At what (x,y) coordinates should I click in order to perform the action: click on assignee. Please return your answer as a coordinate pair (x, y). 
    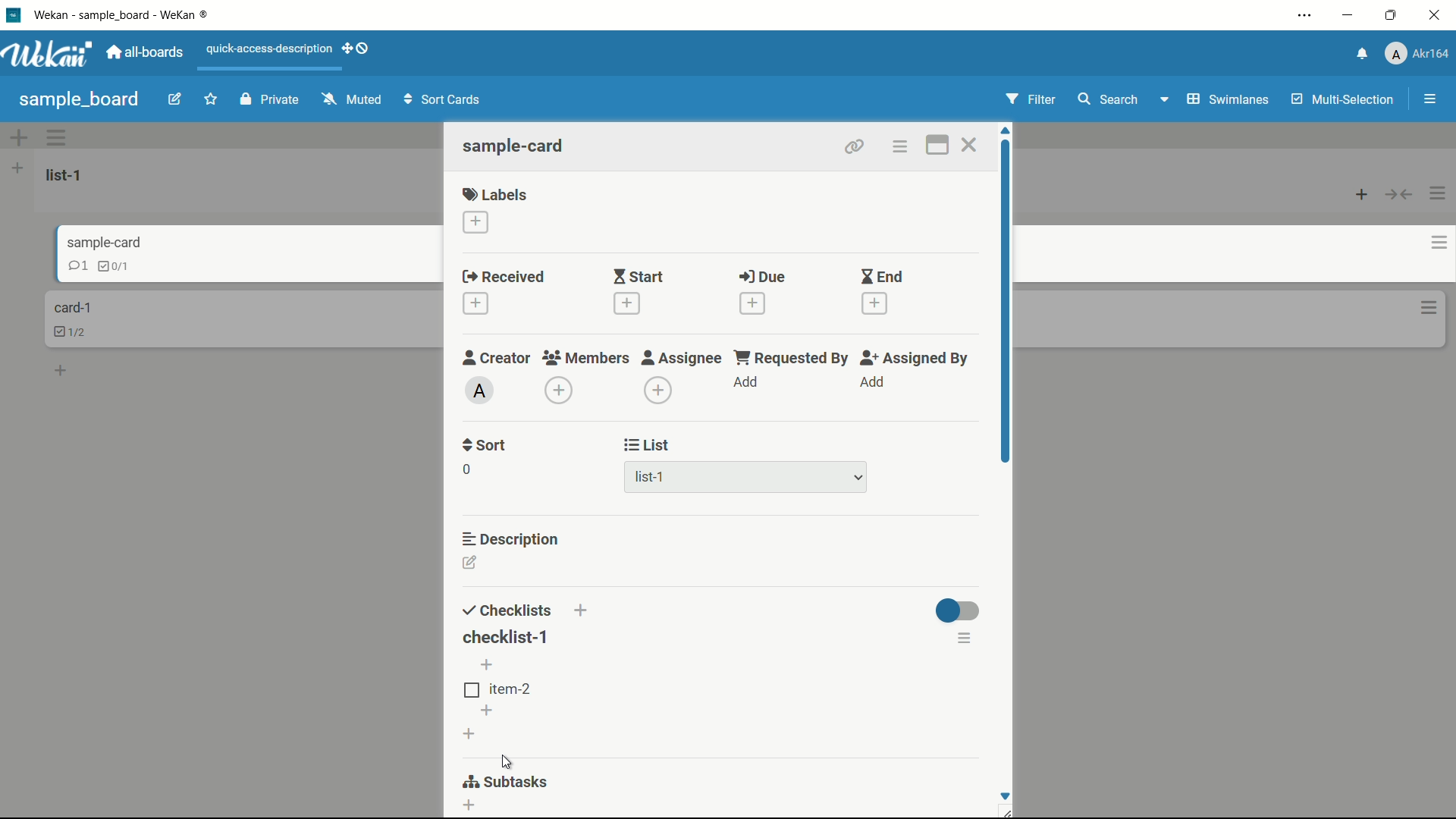
    Looking at the image, I should click on (683, 358).